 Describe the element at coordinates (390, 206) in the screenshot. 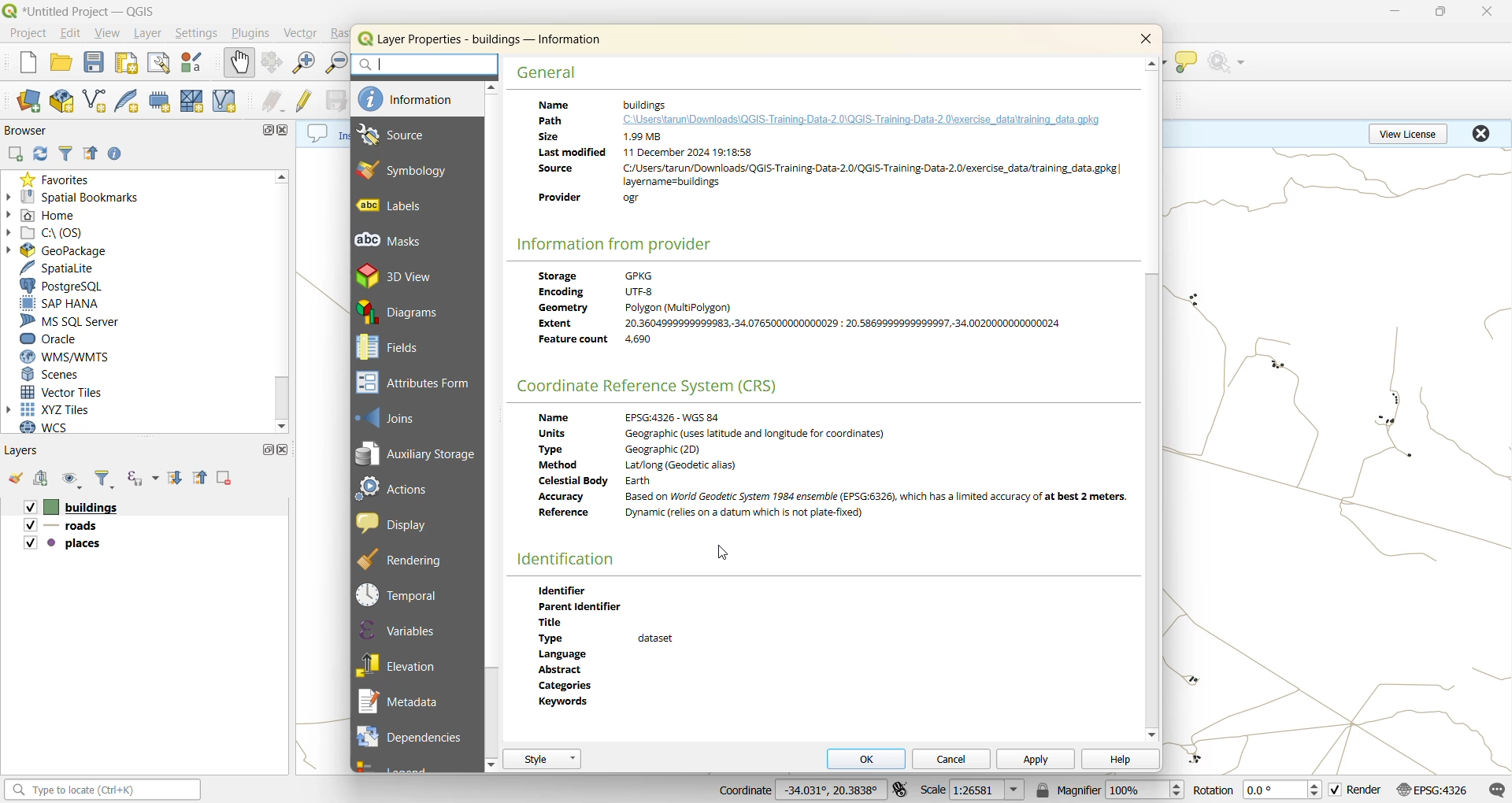

I see `labels` at that location.